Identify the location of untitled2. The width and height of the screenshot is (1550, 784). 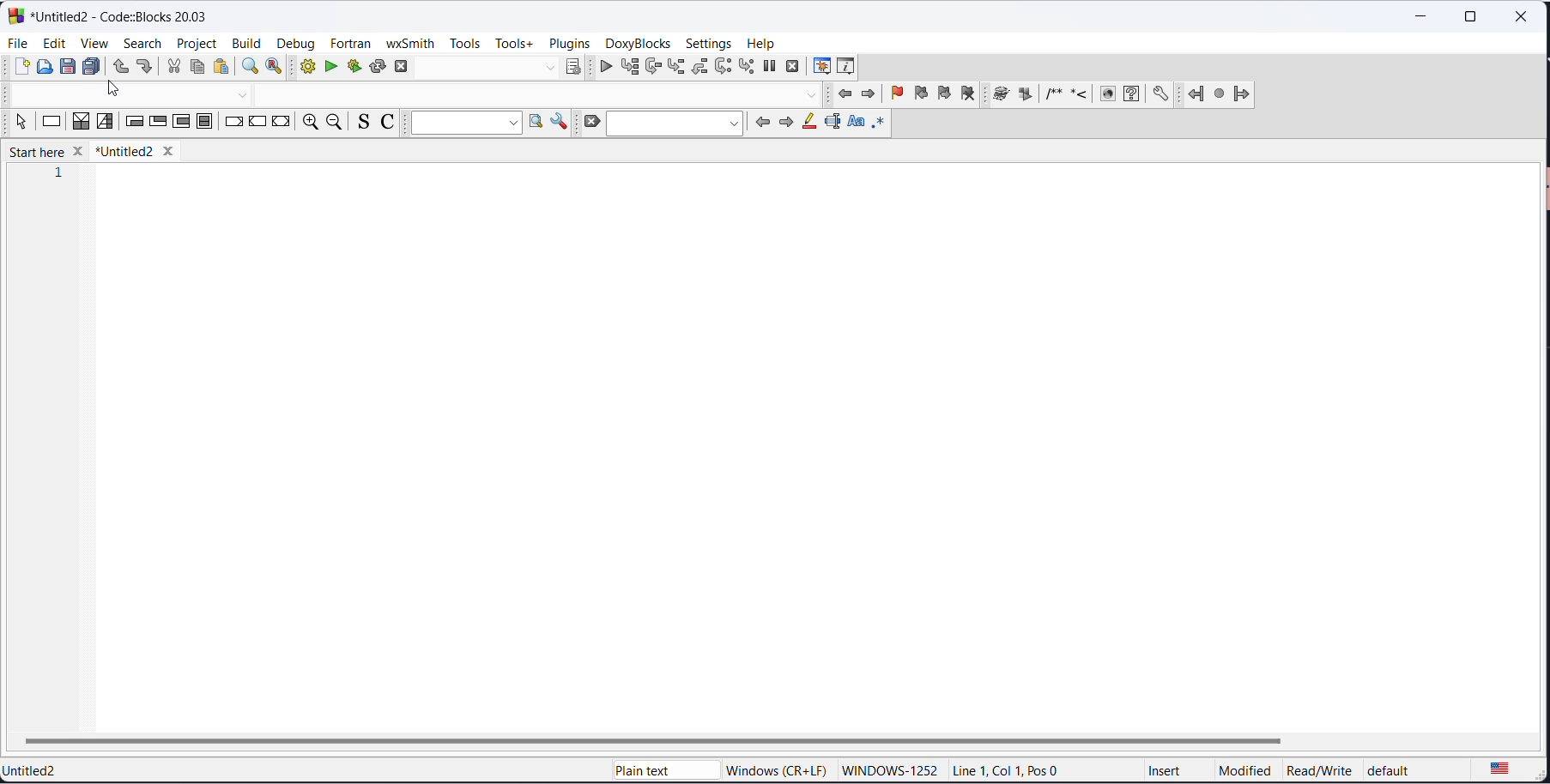
(36, 769).